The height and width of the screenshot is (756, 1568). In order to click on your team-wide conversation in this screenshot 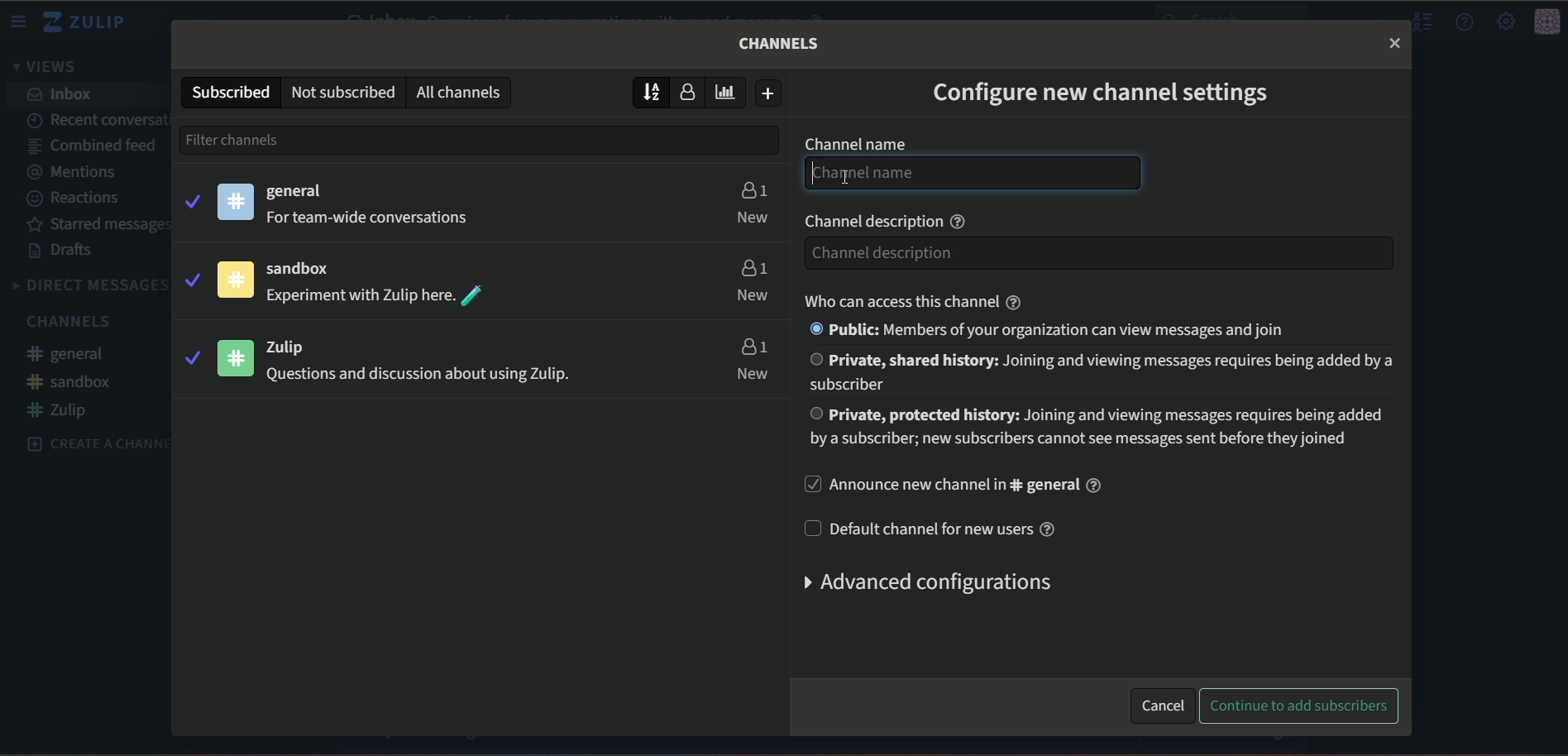, I will do `click(372, 218)`.